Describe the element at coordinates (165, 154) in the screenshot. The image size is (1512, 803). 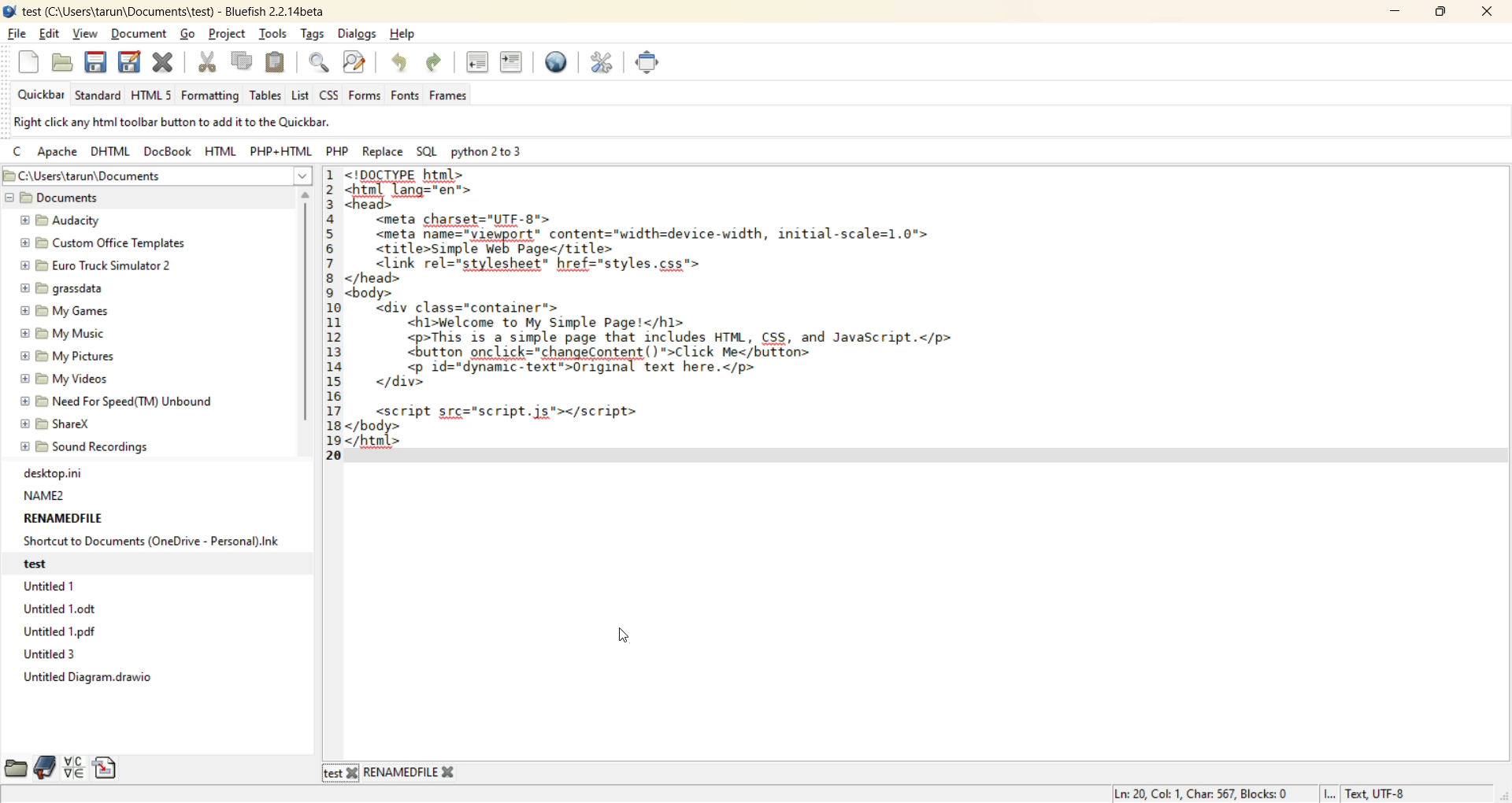
I see `docbook` at that location.